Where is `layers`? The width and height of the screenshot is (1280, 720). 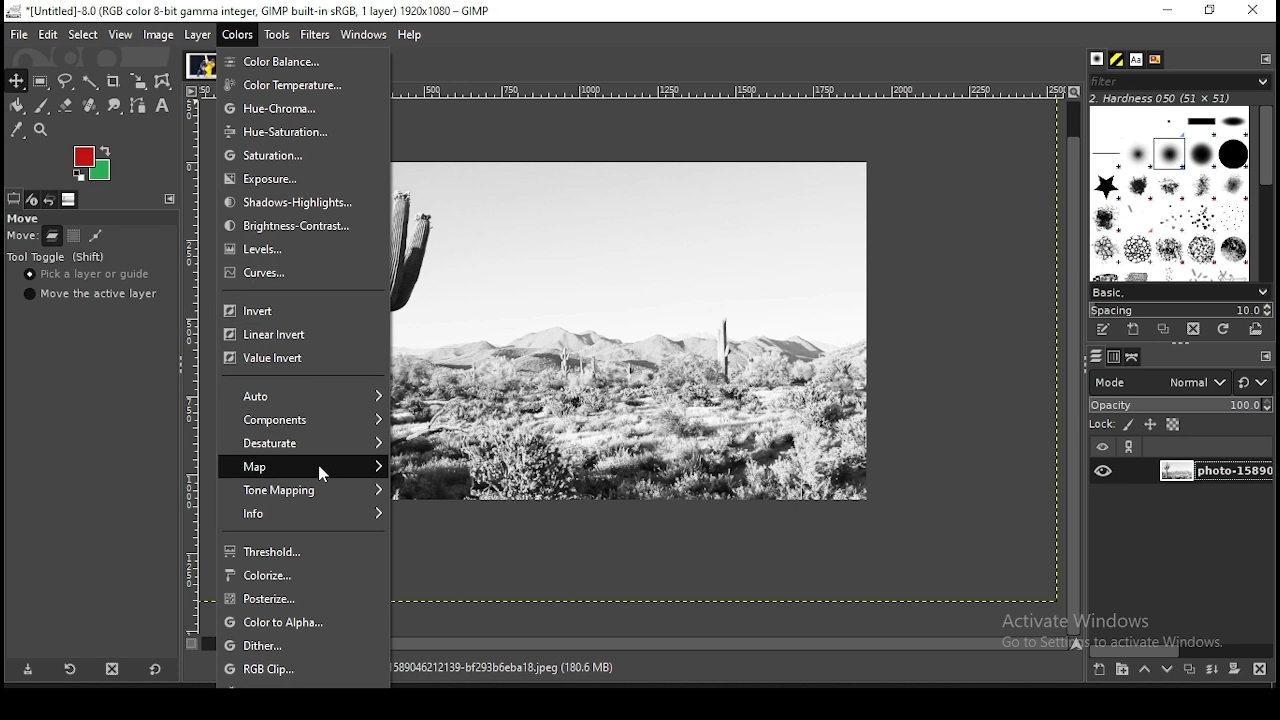 layers is located at coordinates (1096, 357).